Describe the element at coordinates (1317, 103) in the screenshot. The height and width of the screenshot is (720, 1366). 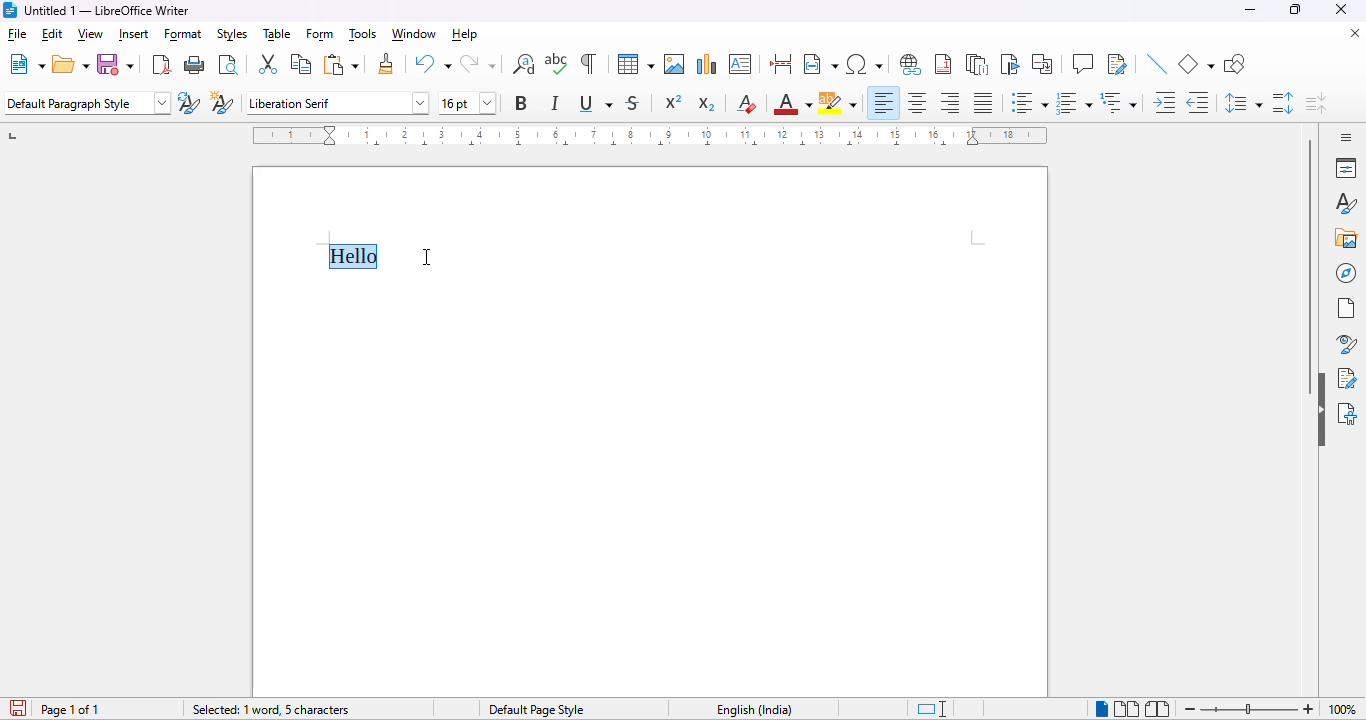
I see `decrease paragraph spacing` at that location.